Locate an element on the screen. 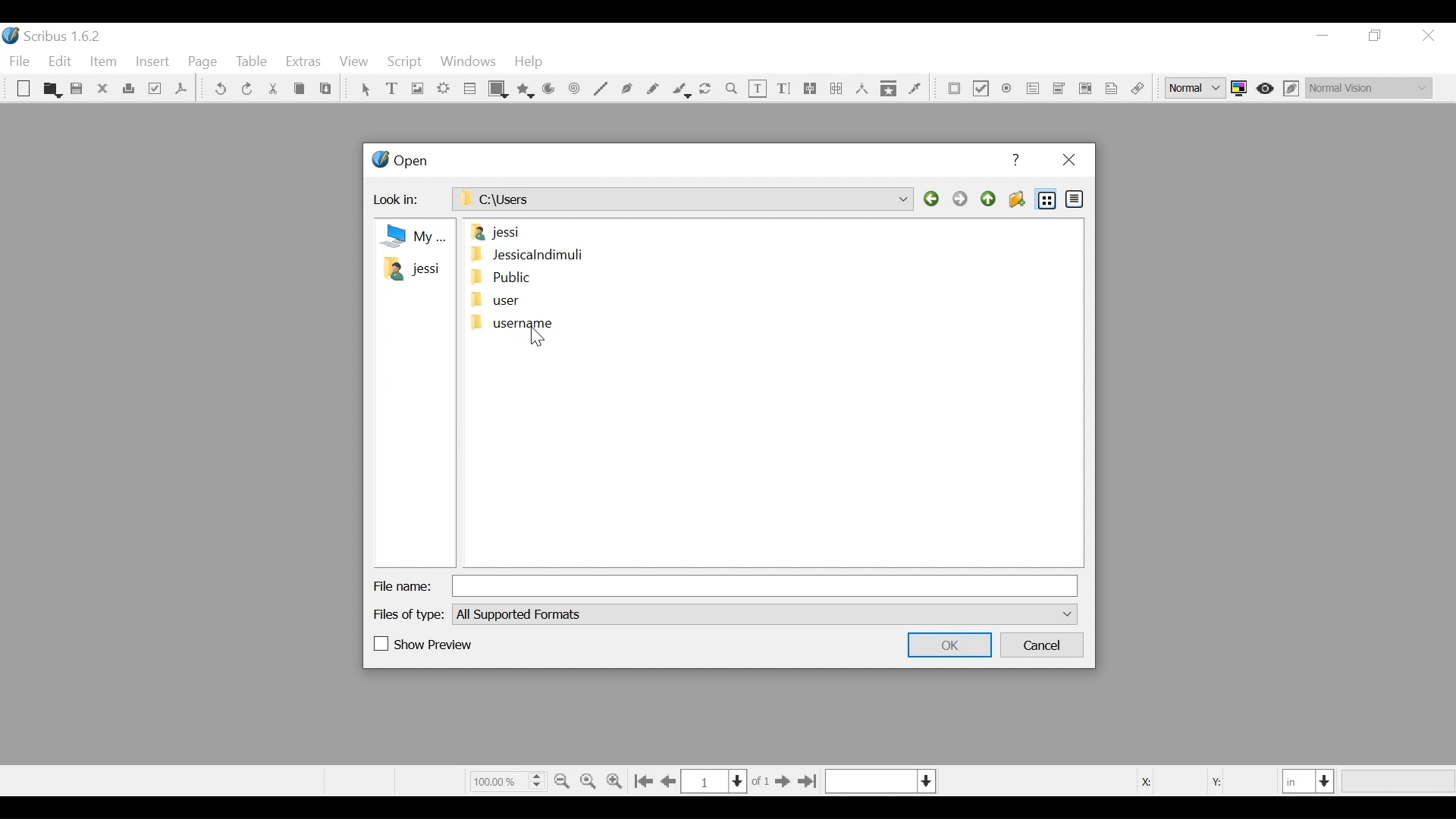  Cursor is located at coordinates (535, 340).